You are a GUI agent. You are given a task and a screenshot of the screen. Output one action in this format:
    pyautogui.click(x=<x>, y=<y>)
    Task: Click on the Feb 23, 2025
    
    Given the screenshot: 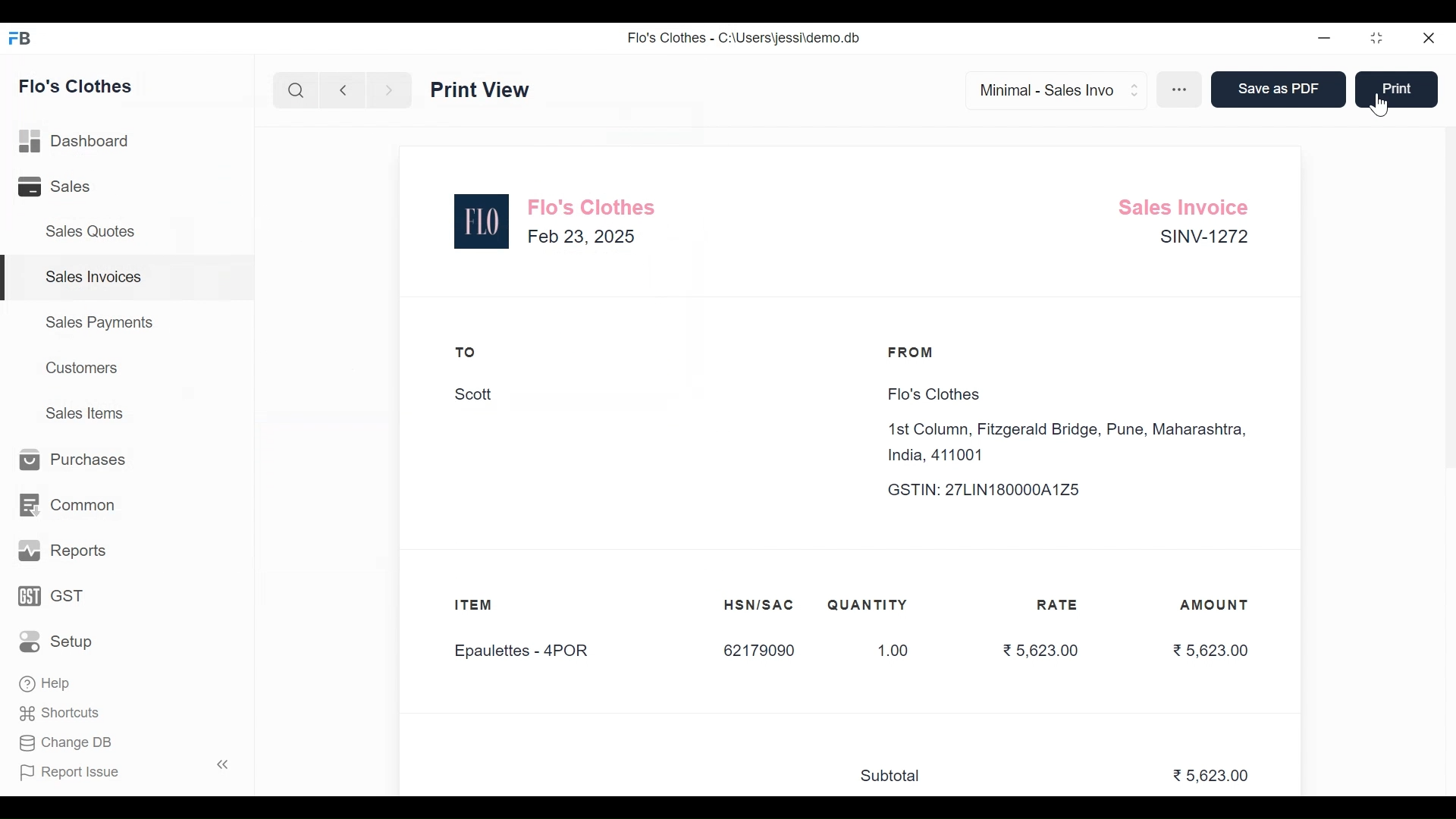 What is the action you would take?
    pyautogui.click(x=582, y=236)
    